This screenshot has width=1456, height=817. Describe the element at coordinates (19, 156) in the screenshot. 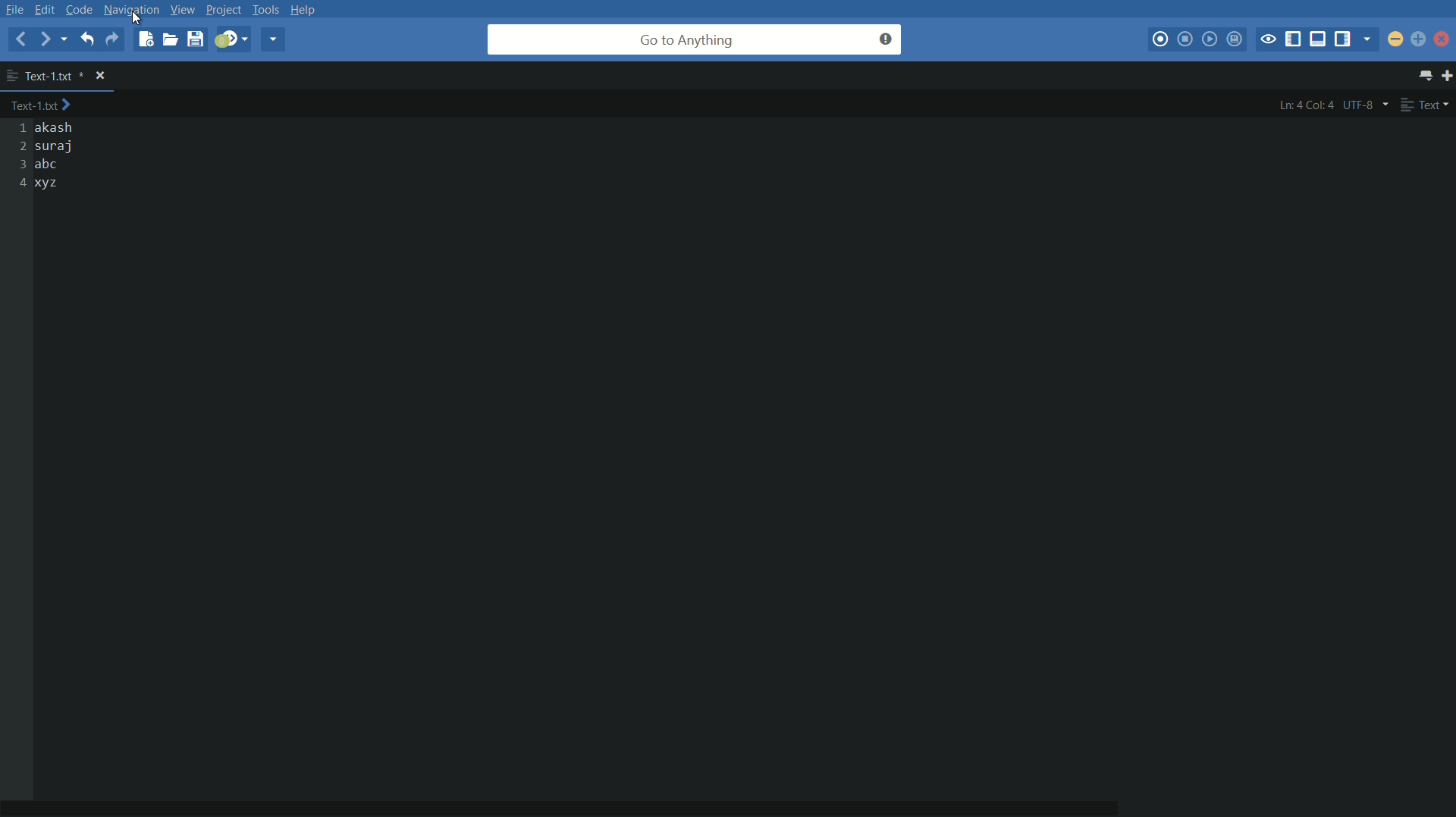

I see `1 2 3 4` at that location.